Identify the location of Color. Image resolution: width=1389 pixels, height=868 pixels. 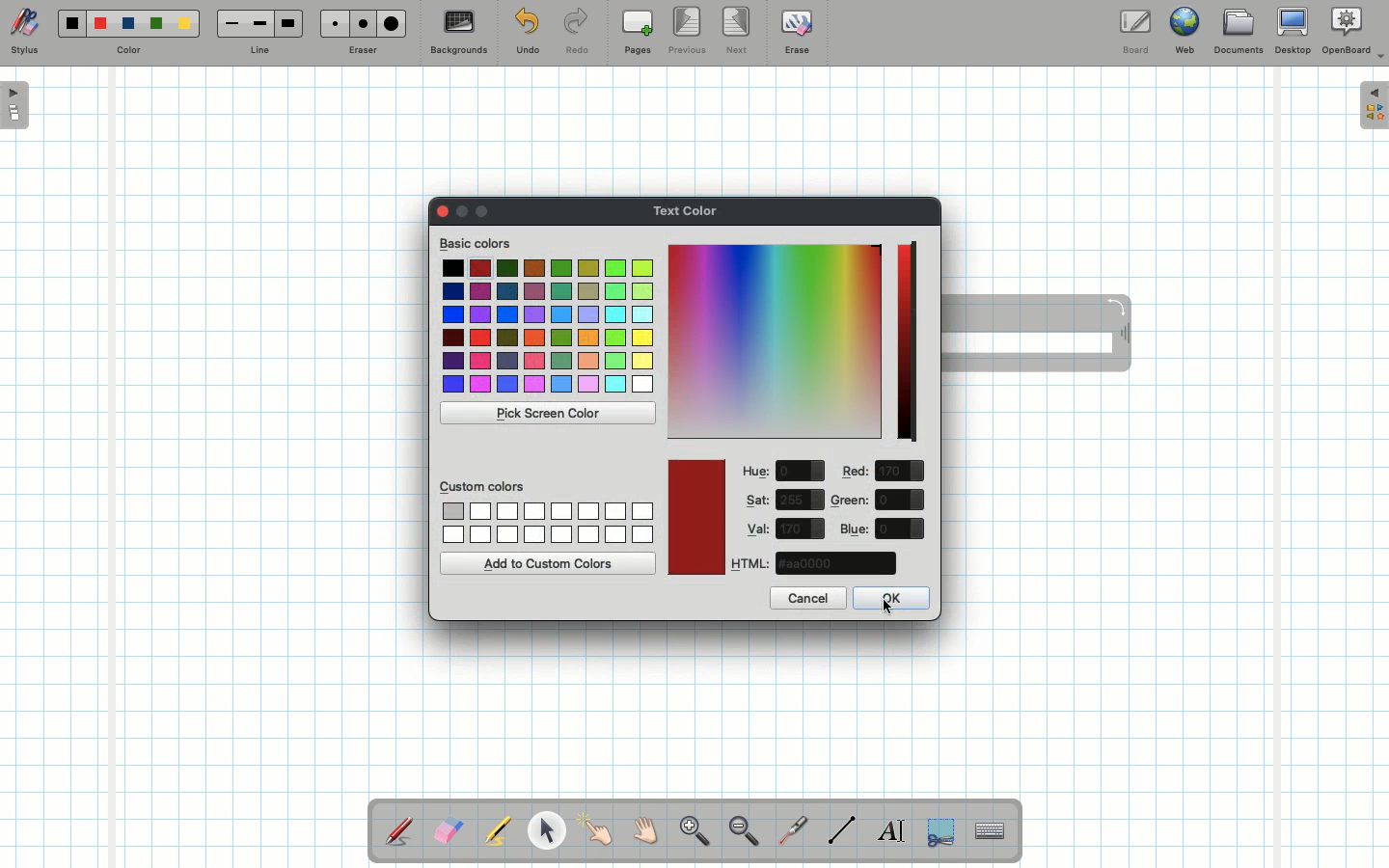
(126, 51).